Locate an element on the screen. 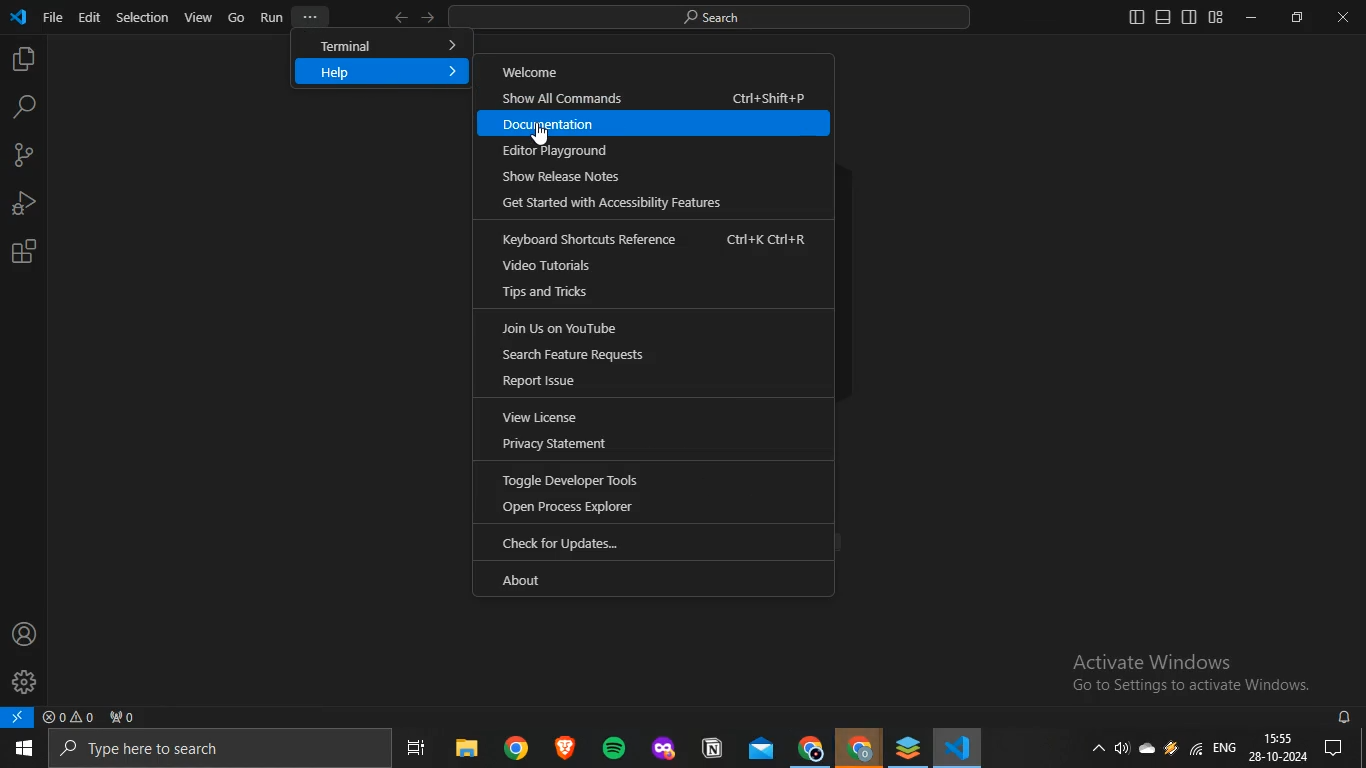  Activate Windows
Go to Settings to activate Windows. is located at coordinates (1172, 670).